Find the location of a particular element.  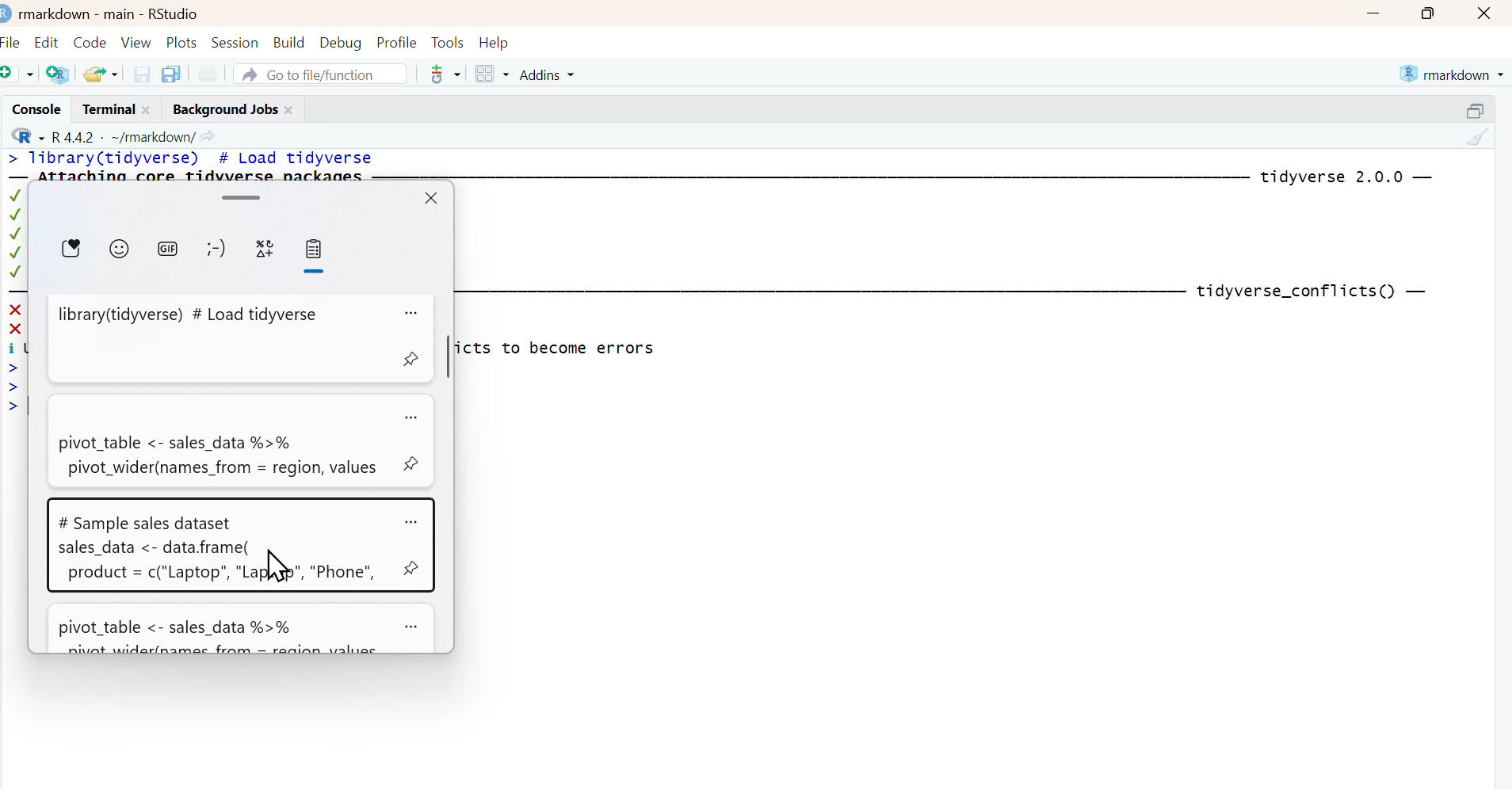

Print current file is located at coordinates (208, 73).